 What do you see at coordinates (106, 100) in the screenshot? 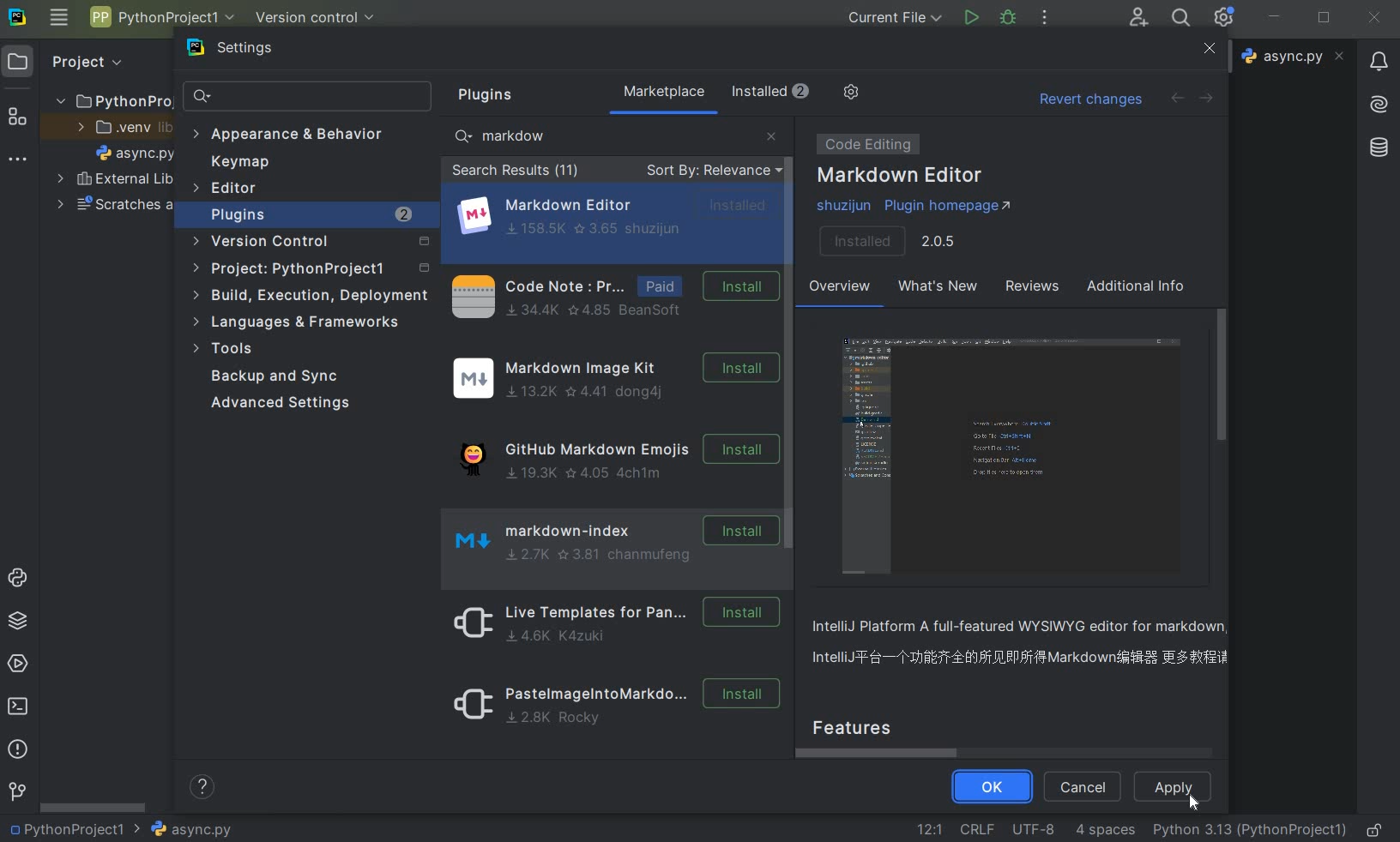
I see `project folder` at bounding box center [106, 100].